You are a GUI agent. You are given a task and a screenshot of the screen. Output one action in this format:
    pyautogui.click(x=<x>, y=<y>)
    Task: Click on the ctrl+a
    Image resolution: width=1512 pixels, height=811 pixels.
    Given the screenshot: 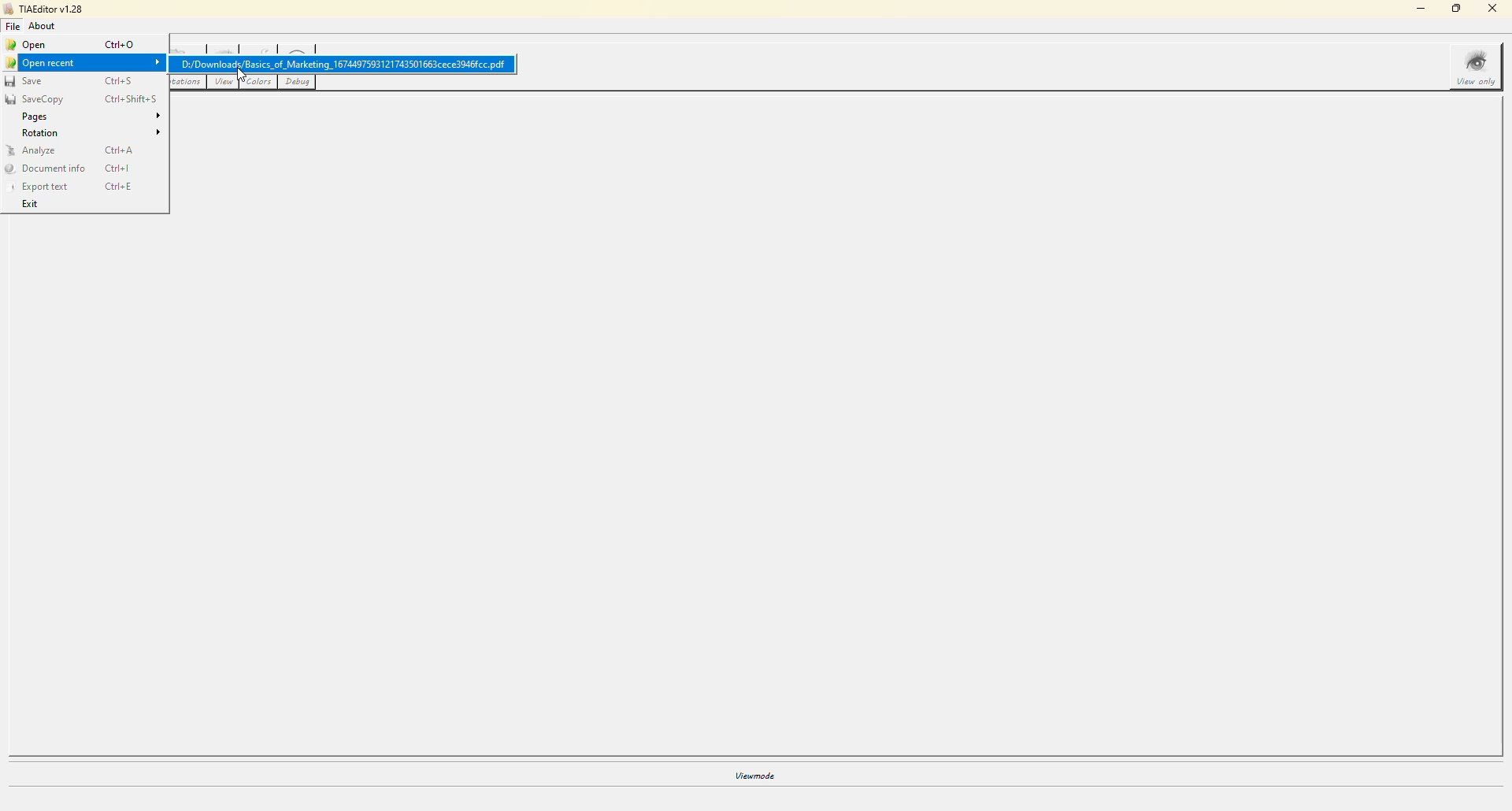 What is the action you would take?
    pyautogui.click(x=120, y=149)
    